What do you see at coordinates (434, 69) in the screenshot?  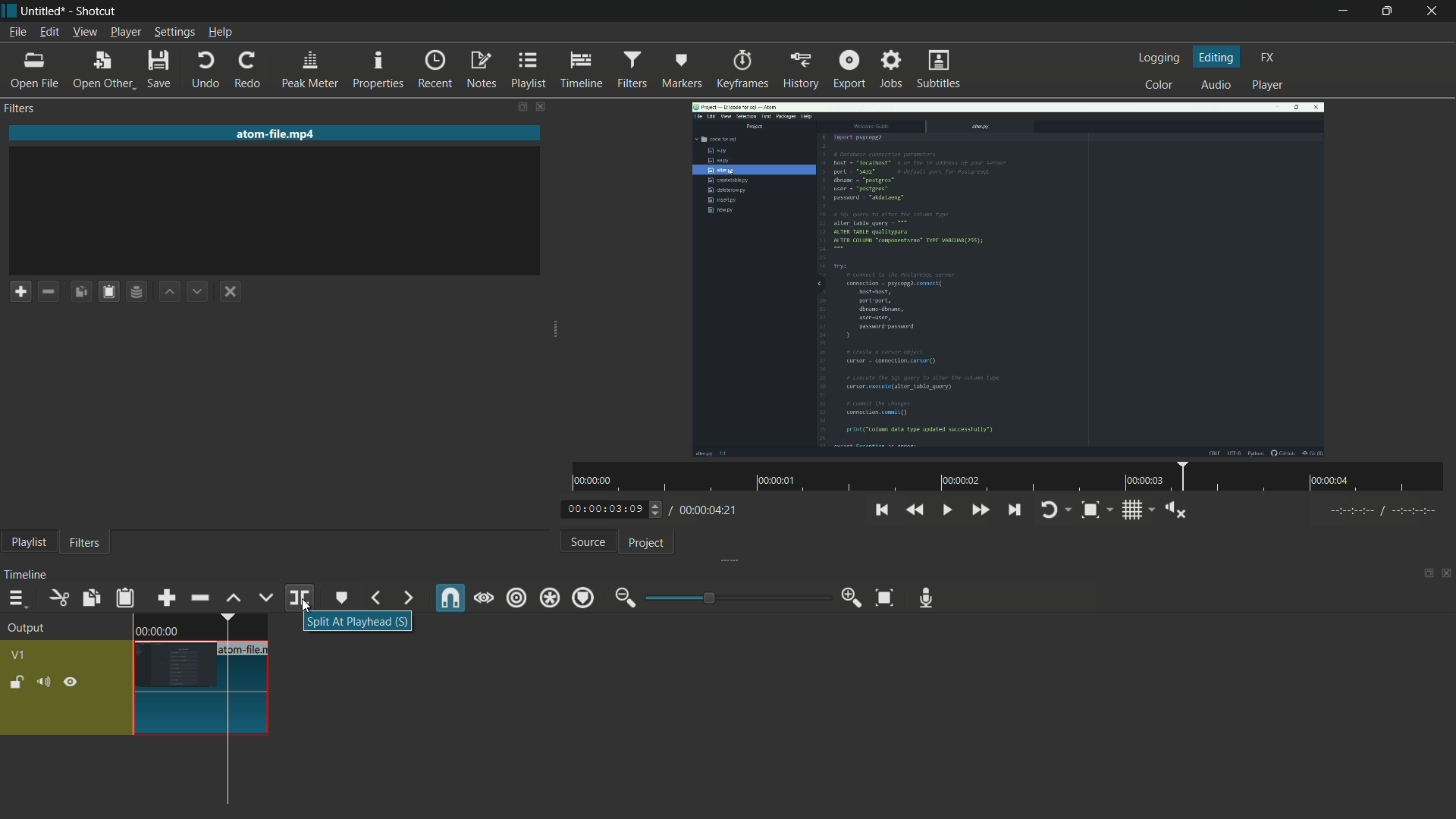 I see `recent` at bounding box center [434, 69].